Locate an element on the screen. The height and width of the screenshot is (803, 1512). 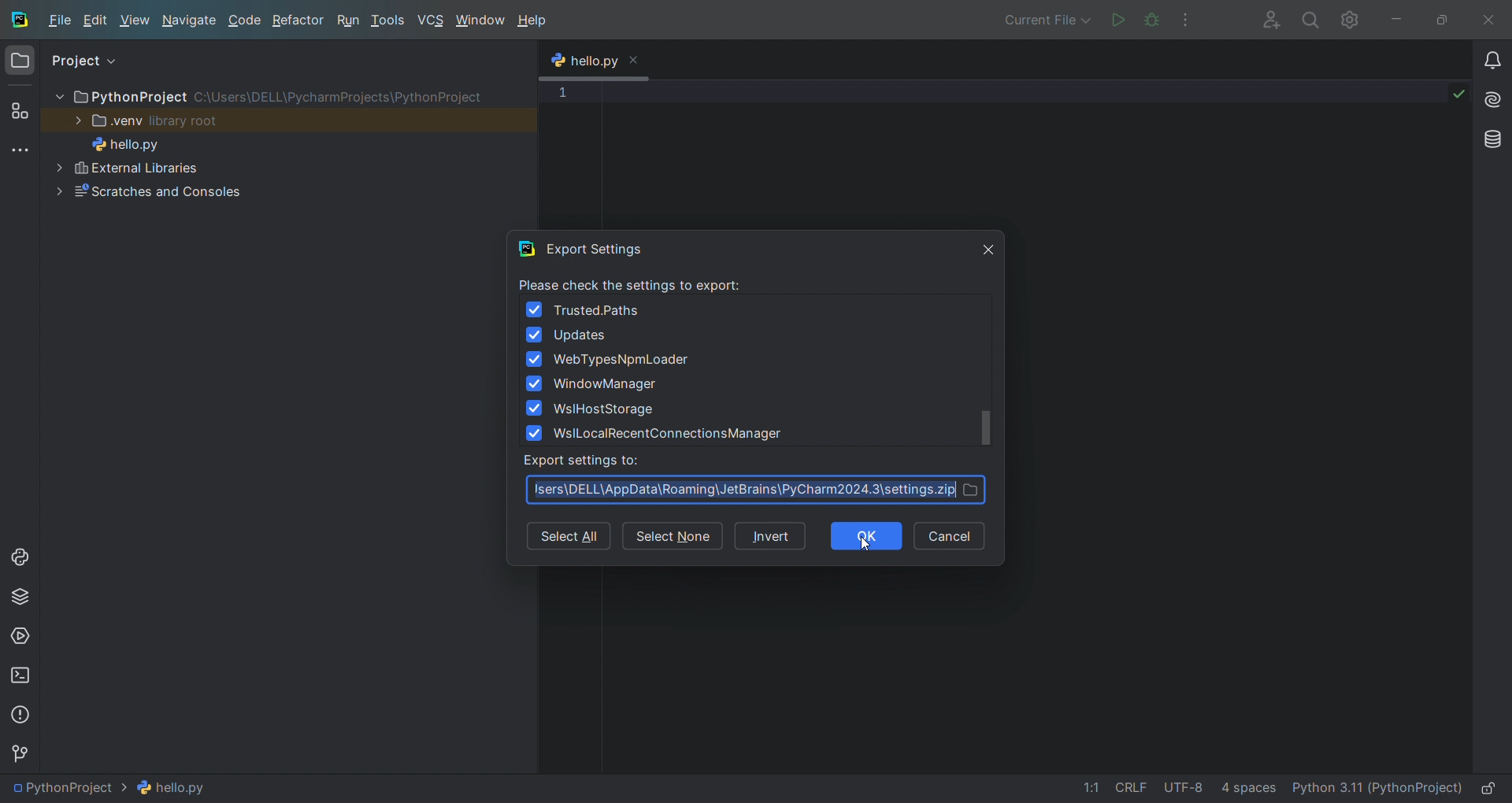
edit is located at coordinates (98, 22).